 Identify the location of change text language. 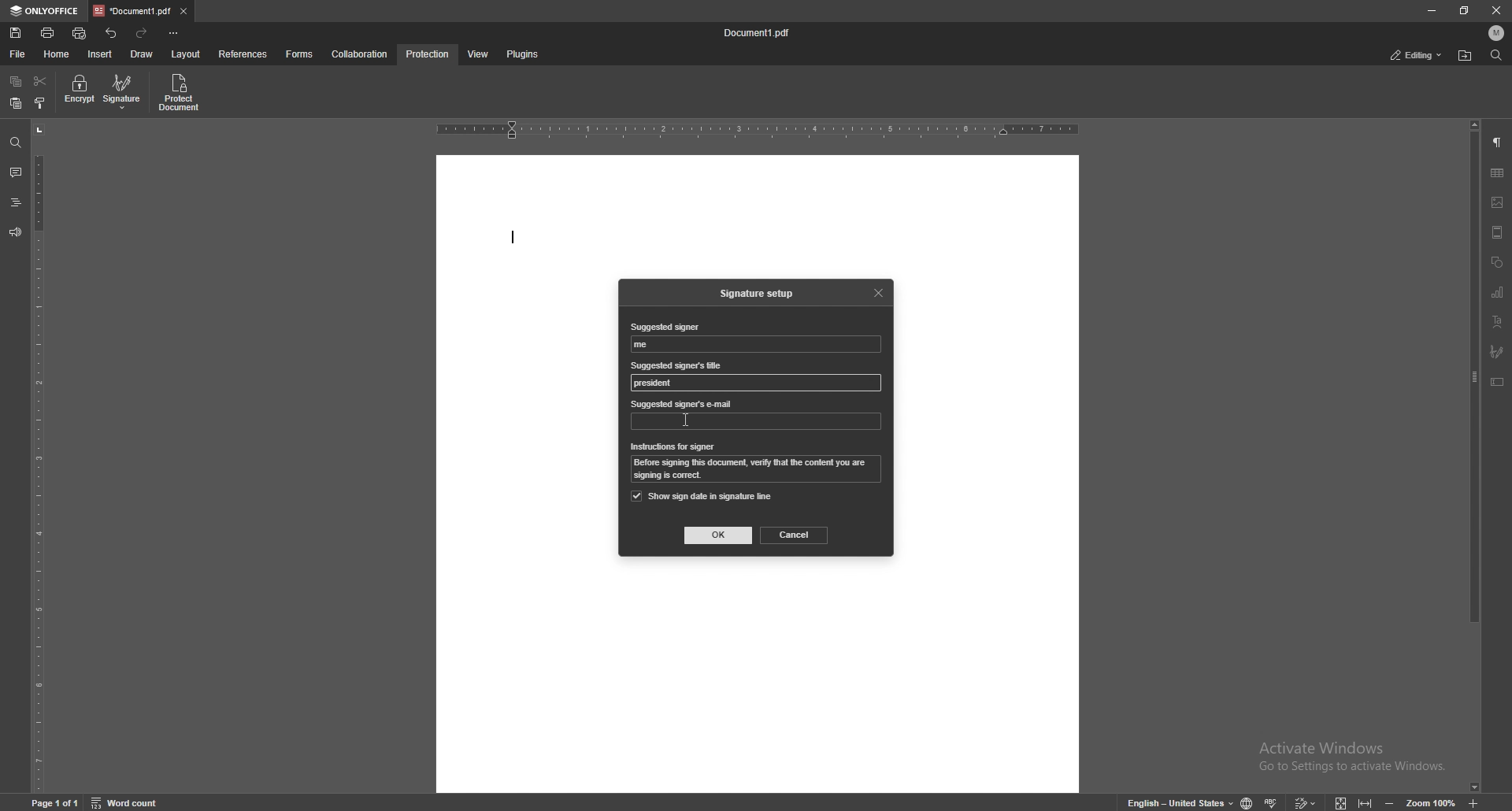
(1174, 802).